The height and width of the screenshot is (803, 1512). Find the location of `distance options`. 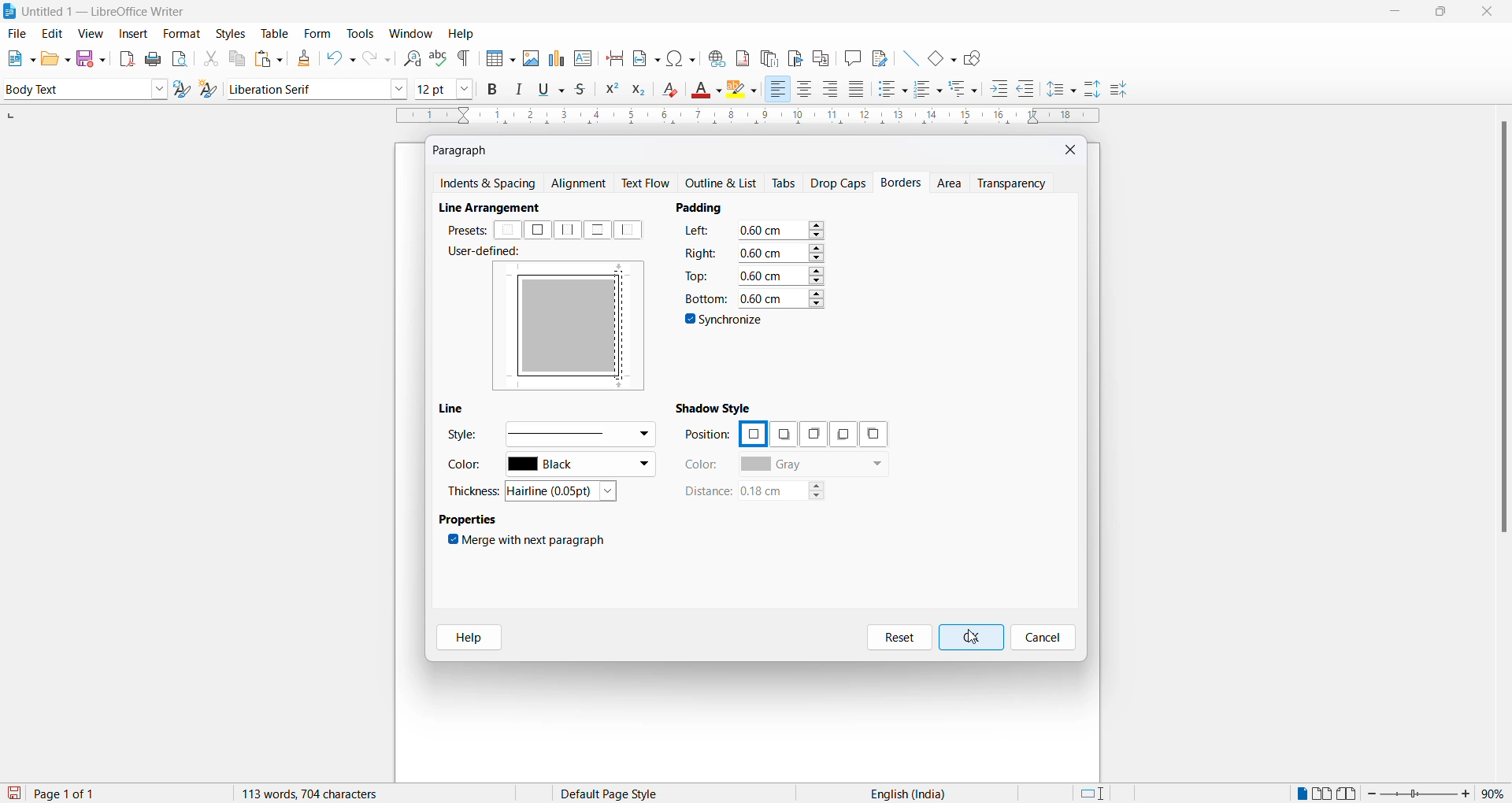

distance options is located at coordinates (790, 494).